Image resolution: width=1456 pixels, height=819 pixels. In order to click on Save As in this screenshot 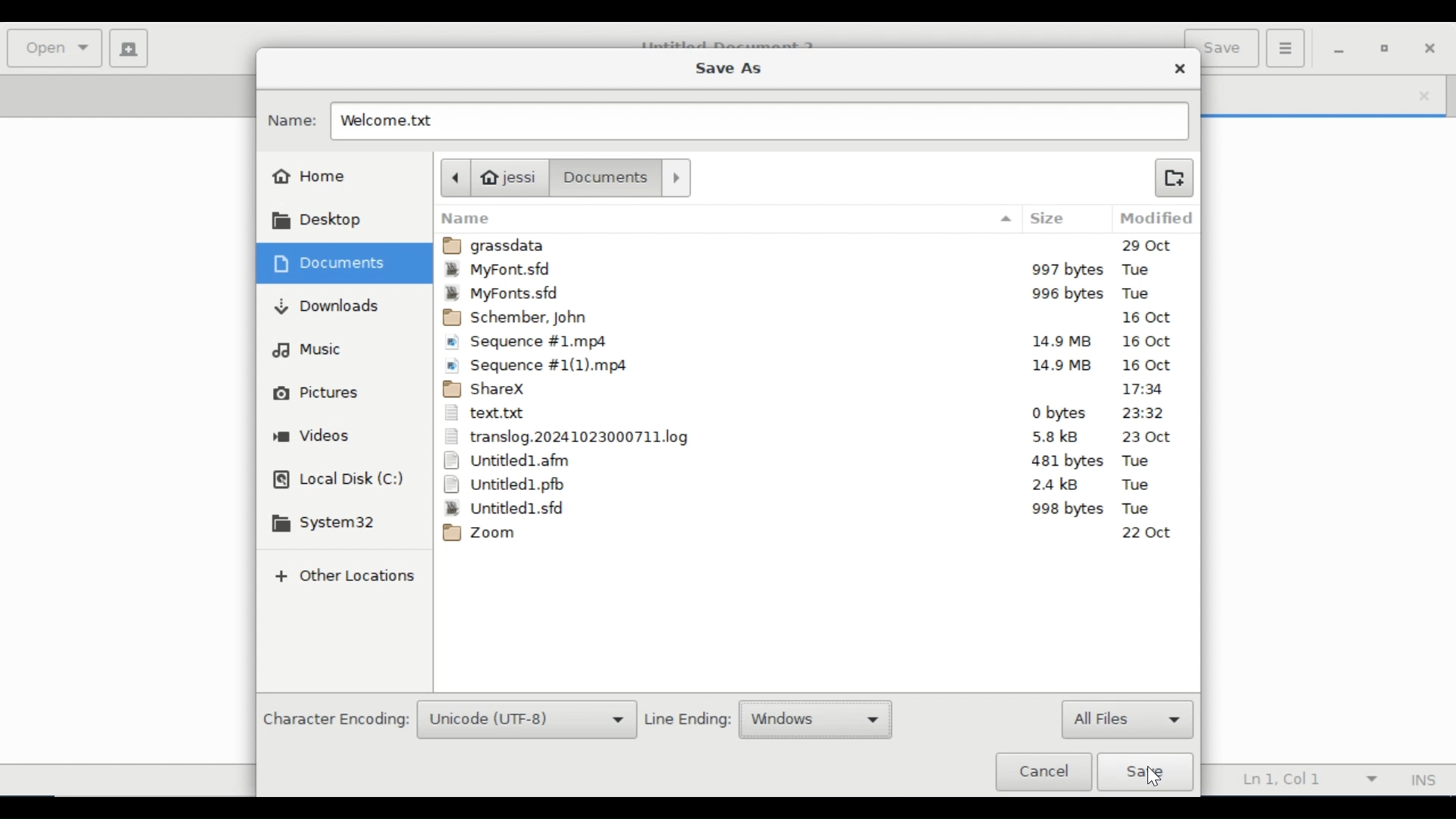, I will do `click(726, 70)`.